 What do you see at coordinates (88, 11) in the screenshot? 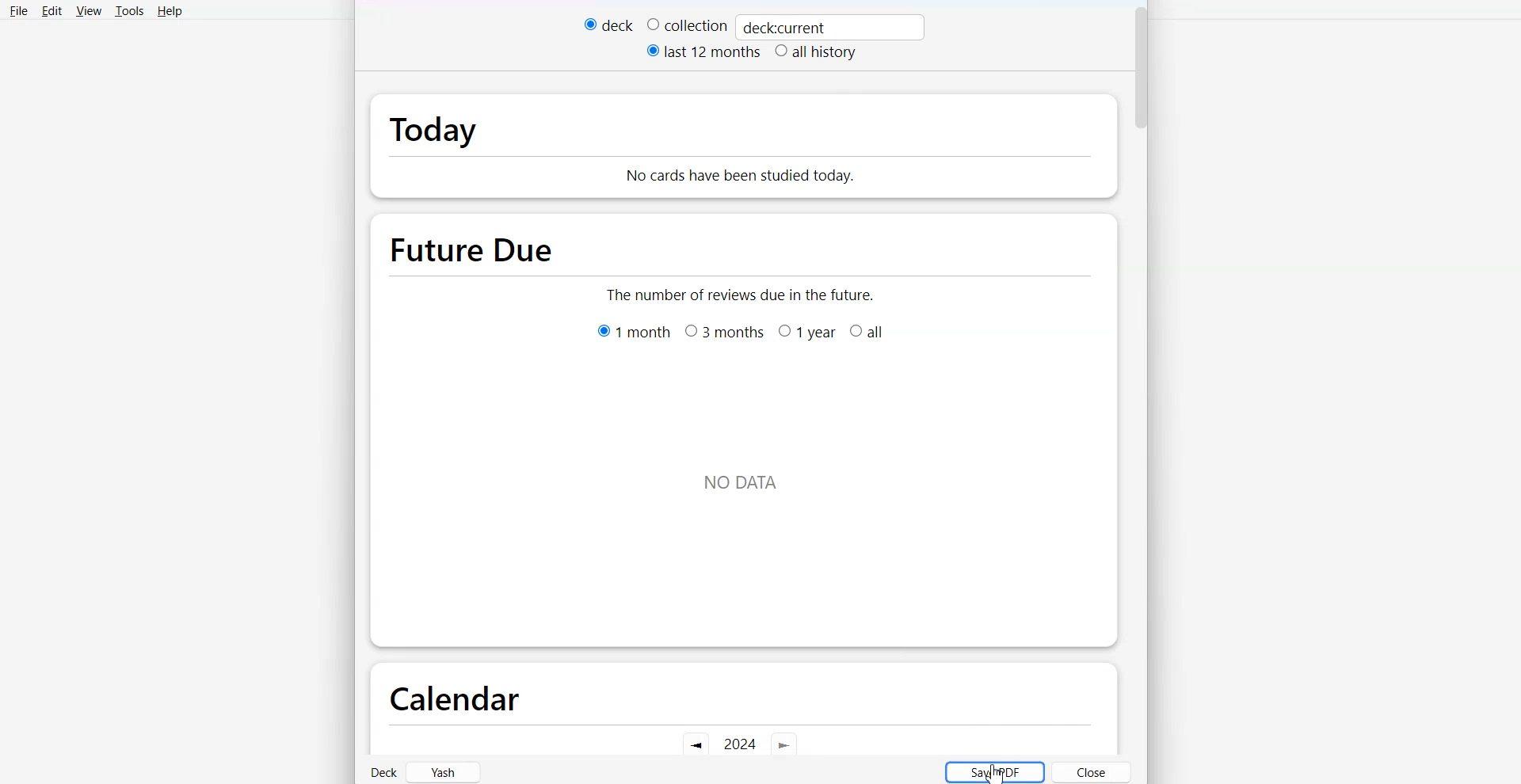
I see `View` at bounding box center [88, 11].